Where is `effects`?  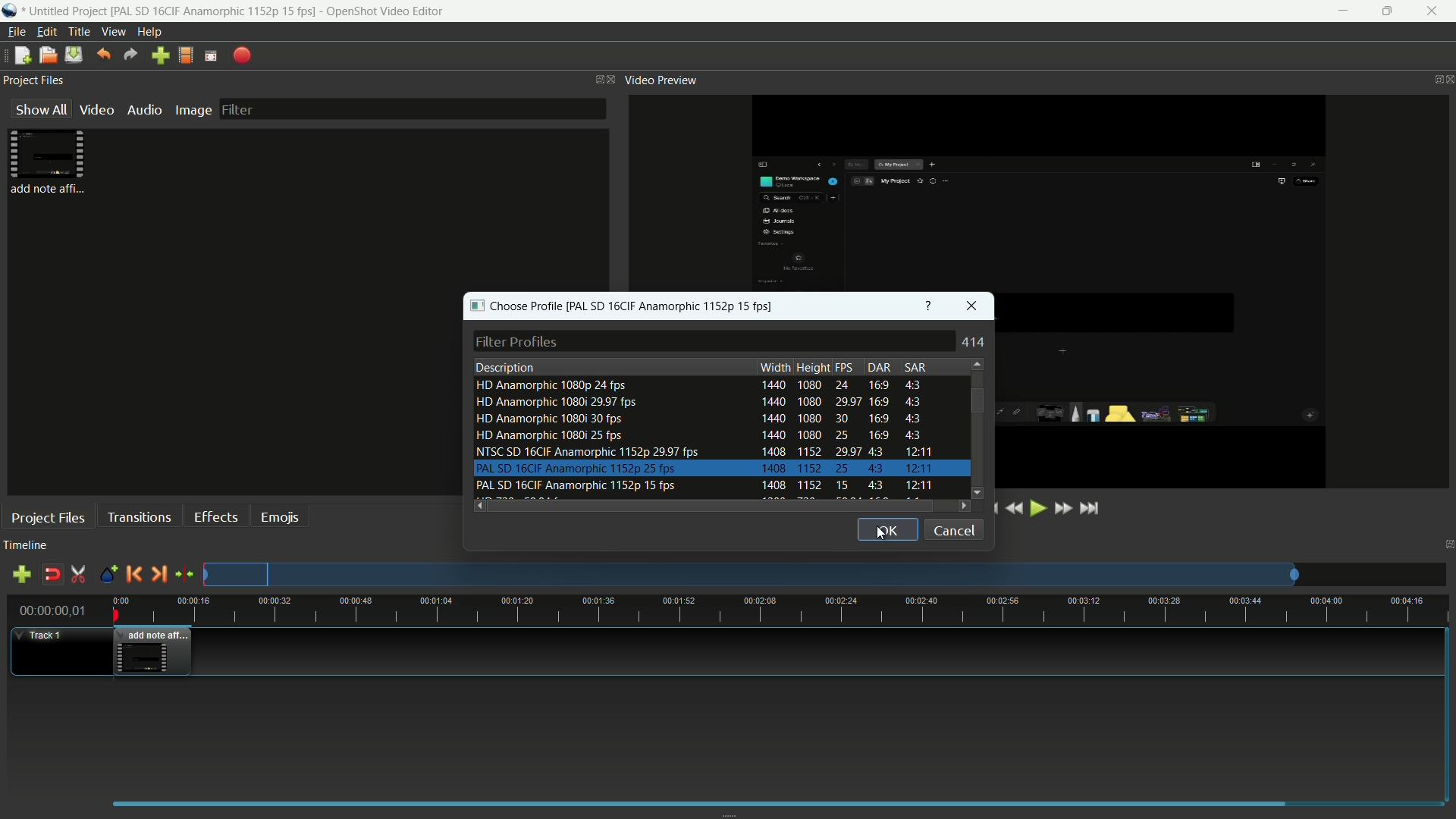 effects is located at coordinates (215, 516).